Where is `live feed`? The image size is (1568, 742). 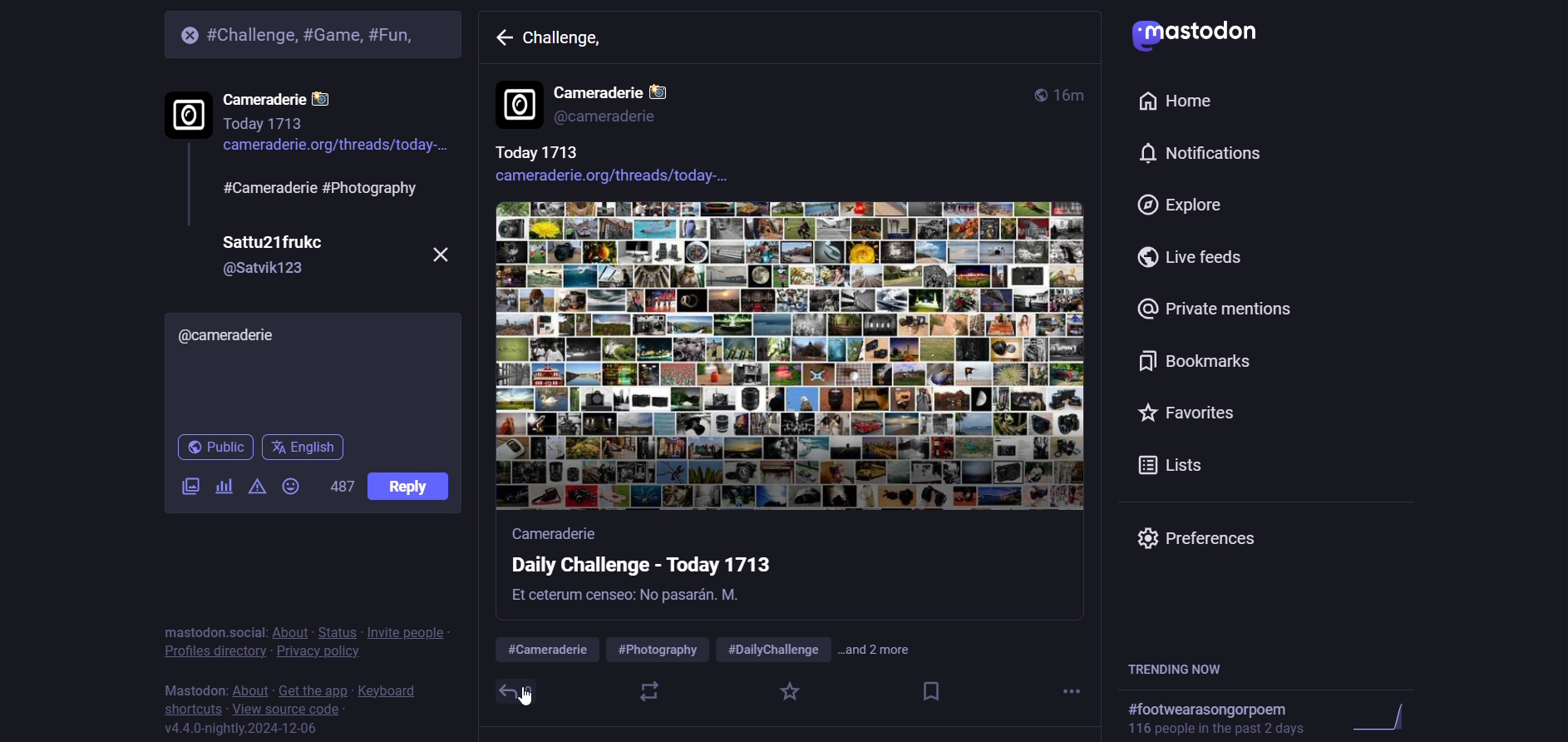 live feed is located at coordinates (1196, 258).